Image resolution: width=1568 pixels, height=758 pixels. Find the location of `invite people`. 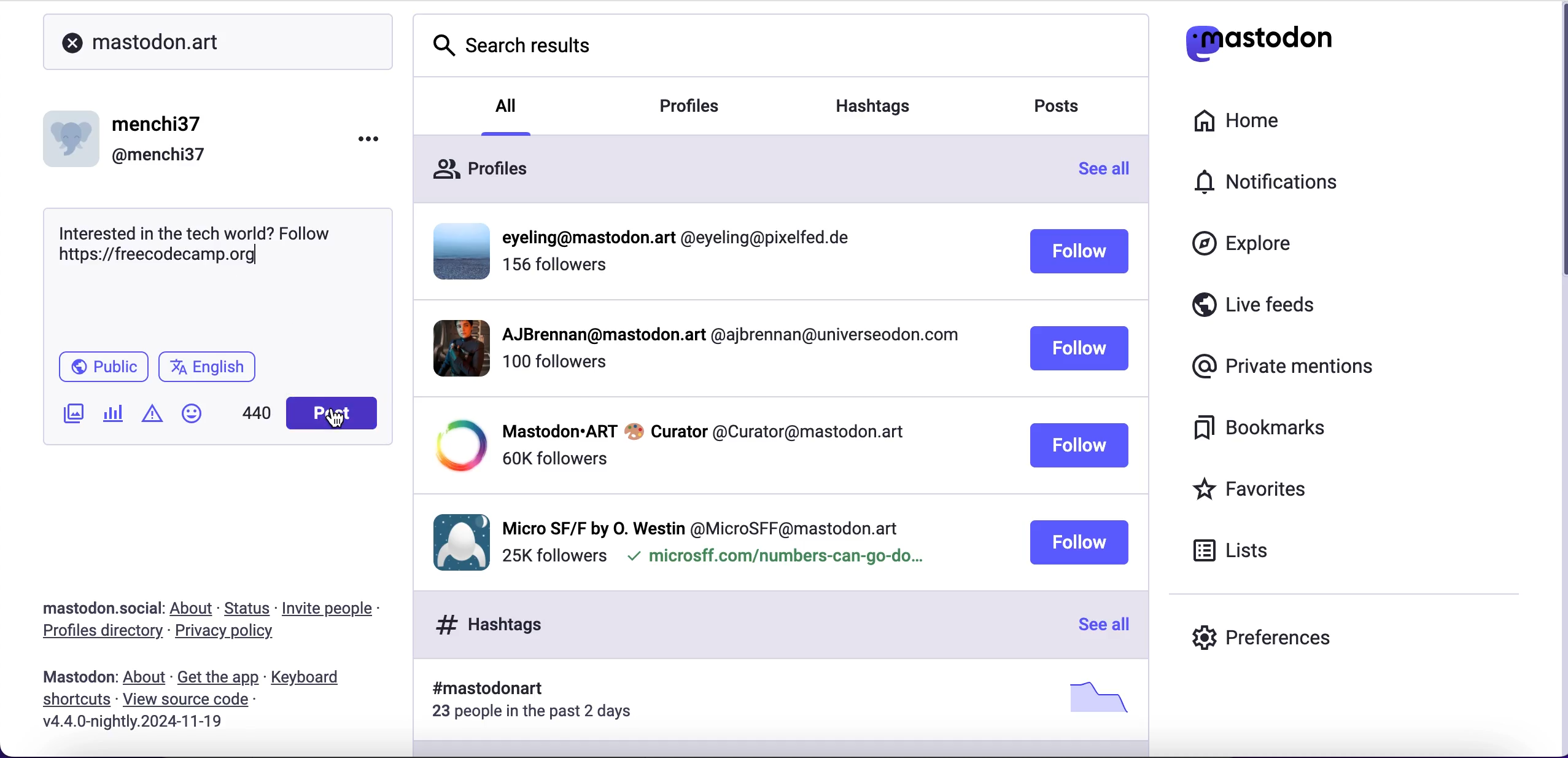

invite people is located at coordinates (338, 609).